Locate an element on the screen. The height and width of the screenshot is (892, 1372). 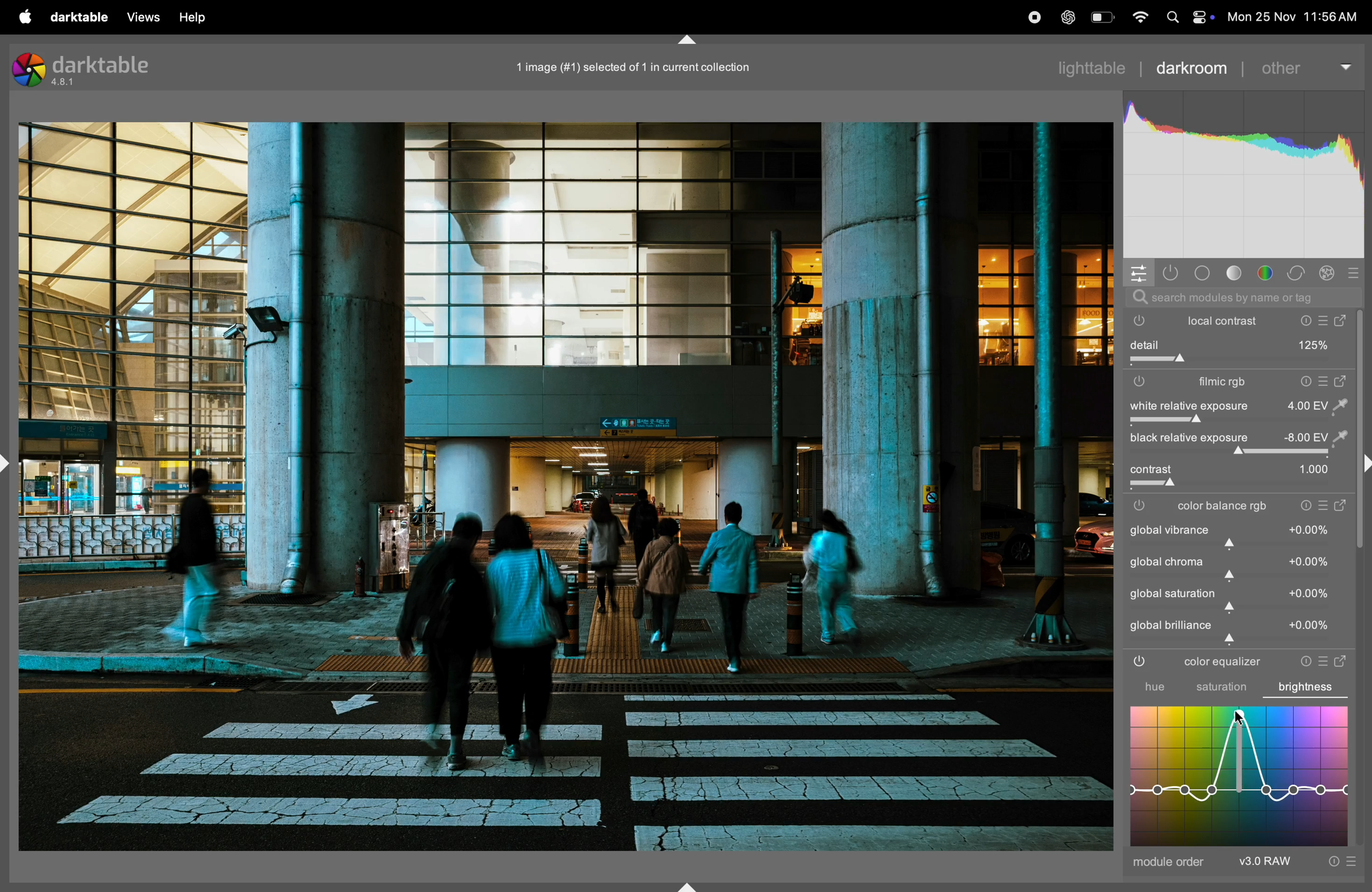
Collapse or expand  is located at coordinates (688, 882).